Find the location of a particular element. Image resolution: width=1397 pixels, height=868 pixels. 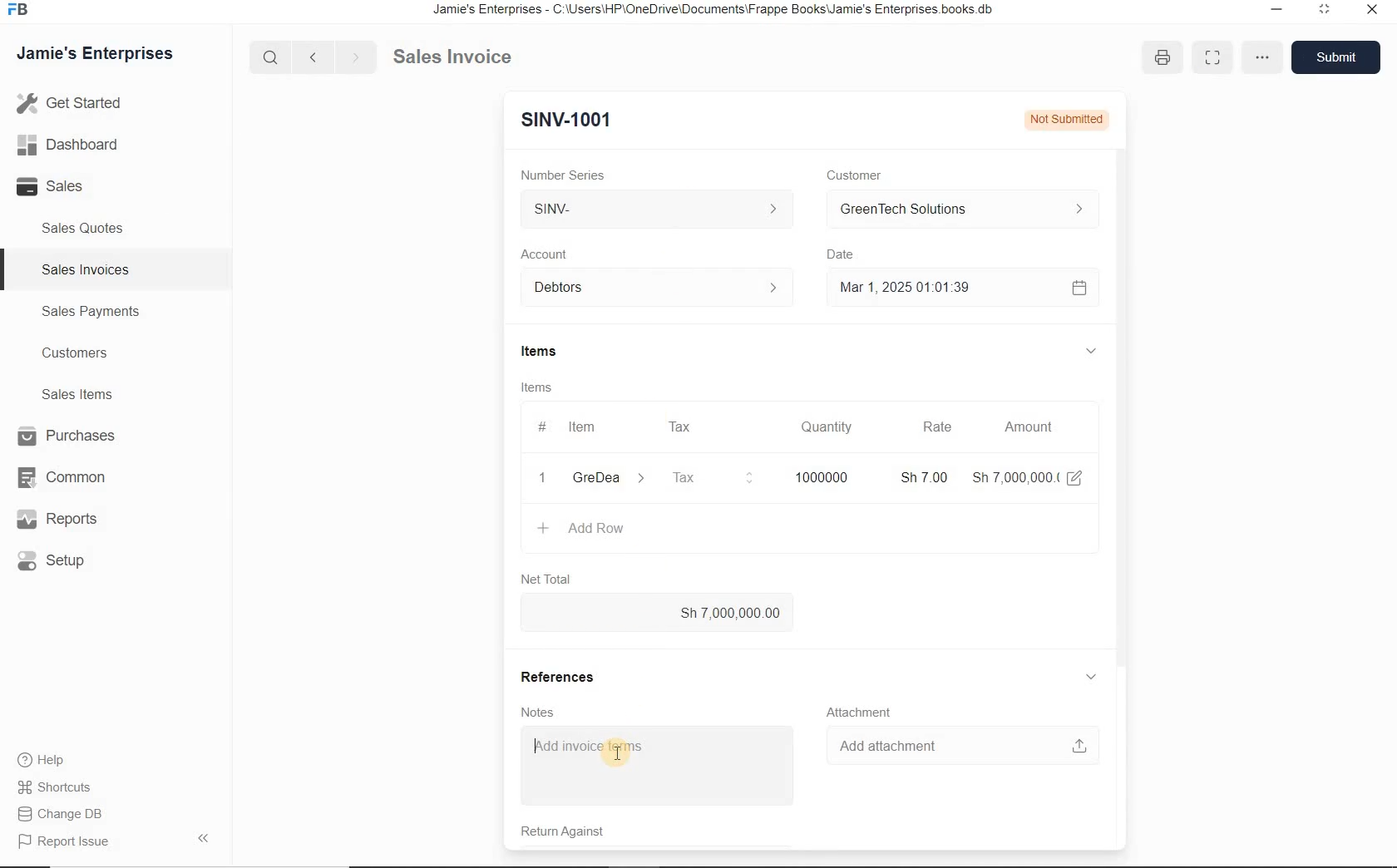

GreenTech Solutions is located at coordinates (955, 210).